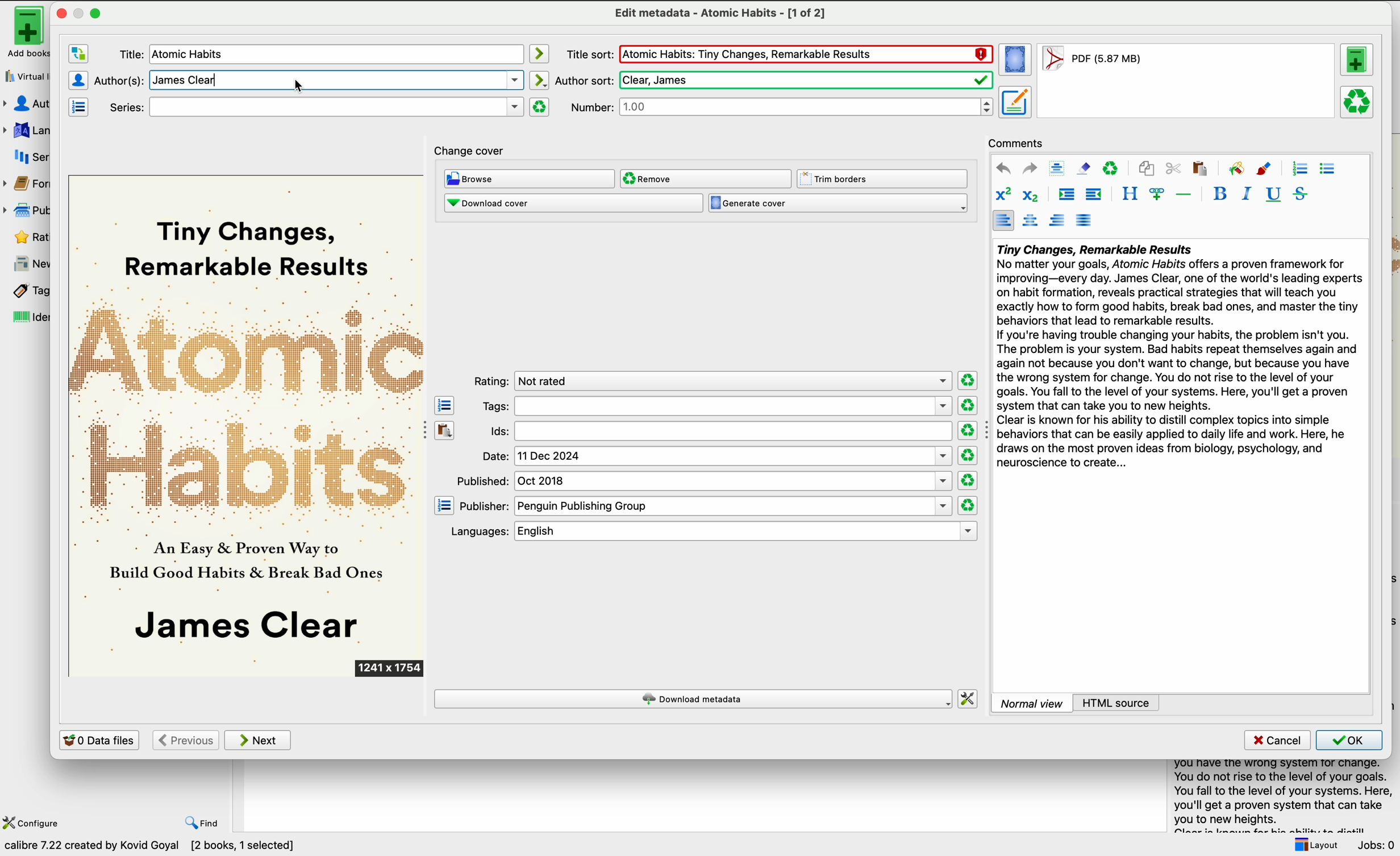 This screenshot has height=856, width=1400. I want to click on clear rating, so click(966, 405).